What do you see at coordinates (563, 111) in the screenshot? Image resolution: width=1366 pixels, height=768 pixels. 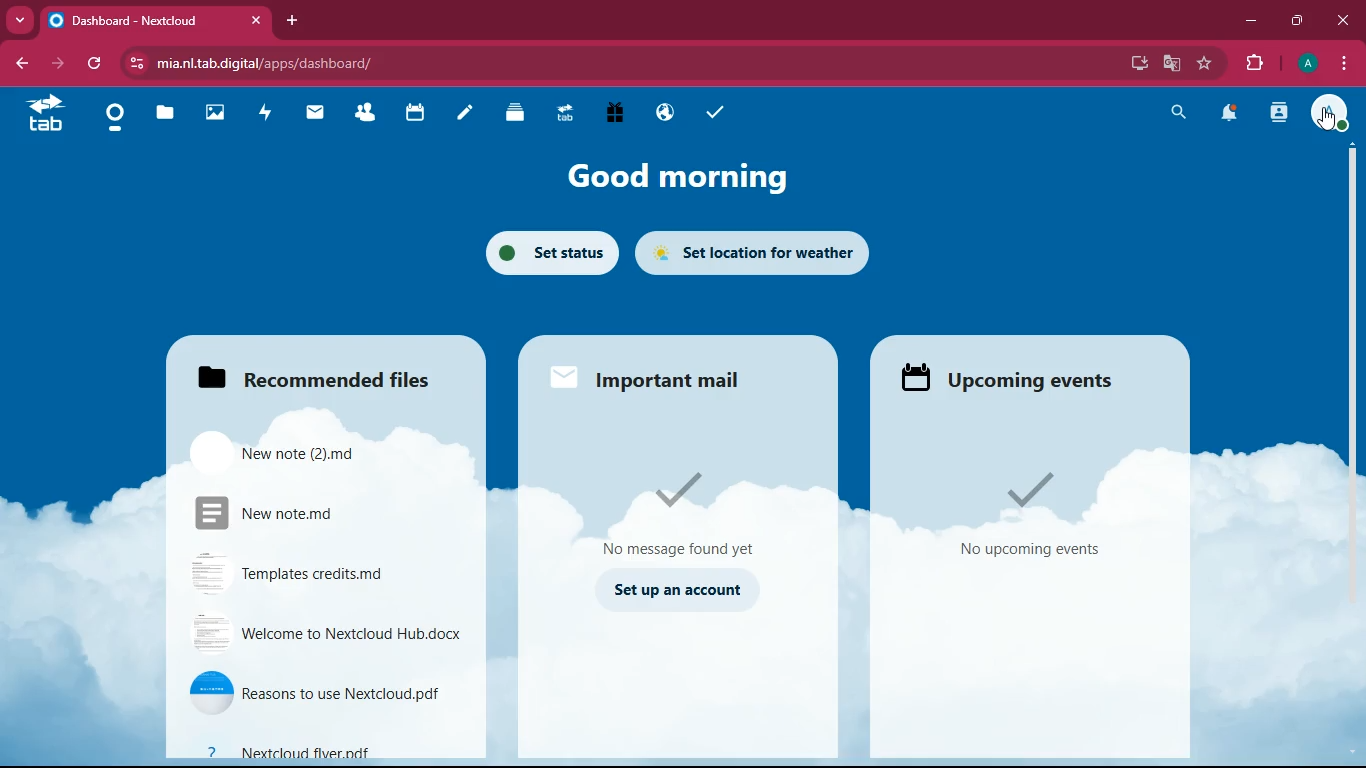 I see `tab` at bounding box center [563, 111].